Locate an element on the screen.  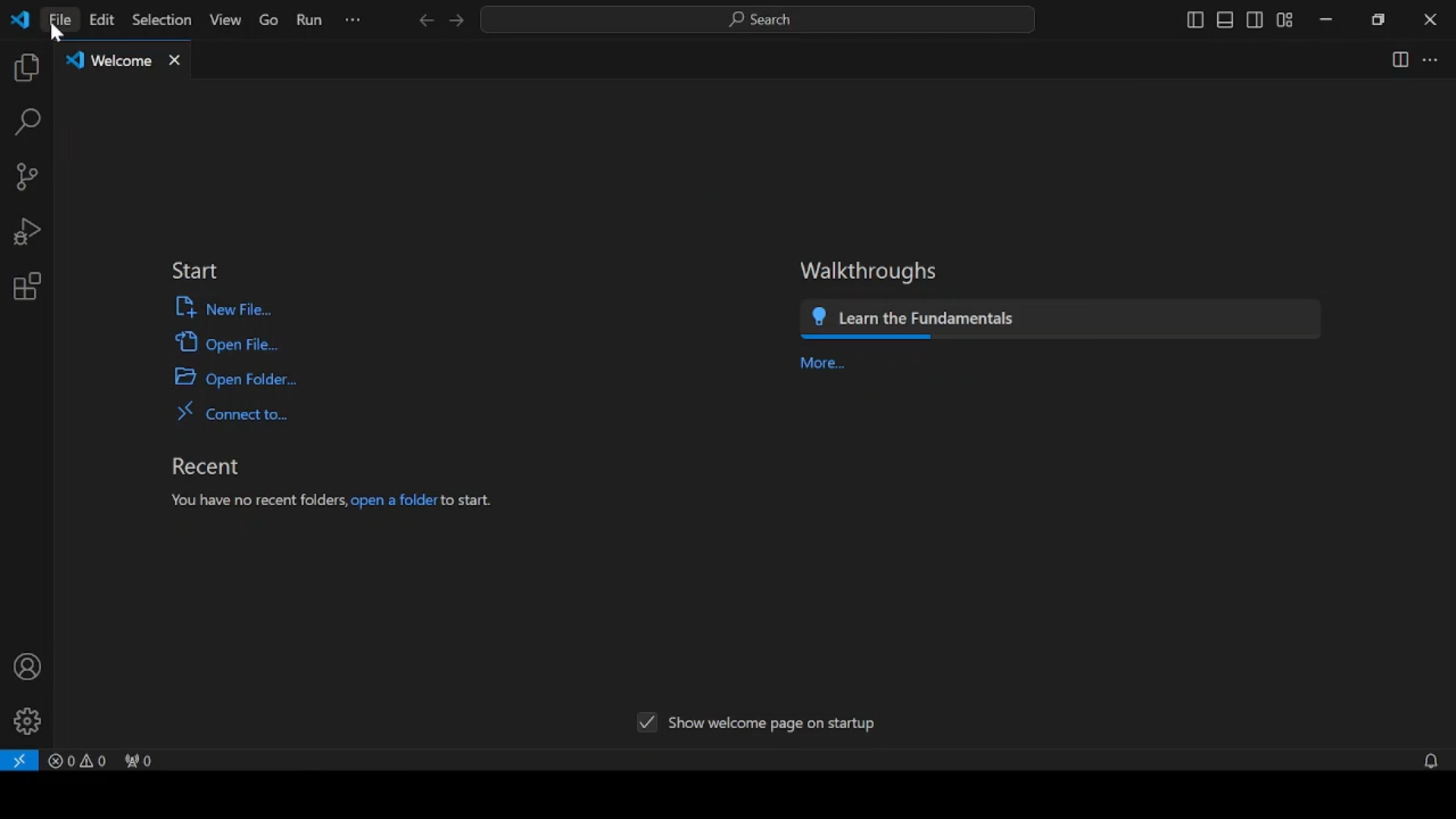
close is located at coordinates (1429, 20).